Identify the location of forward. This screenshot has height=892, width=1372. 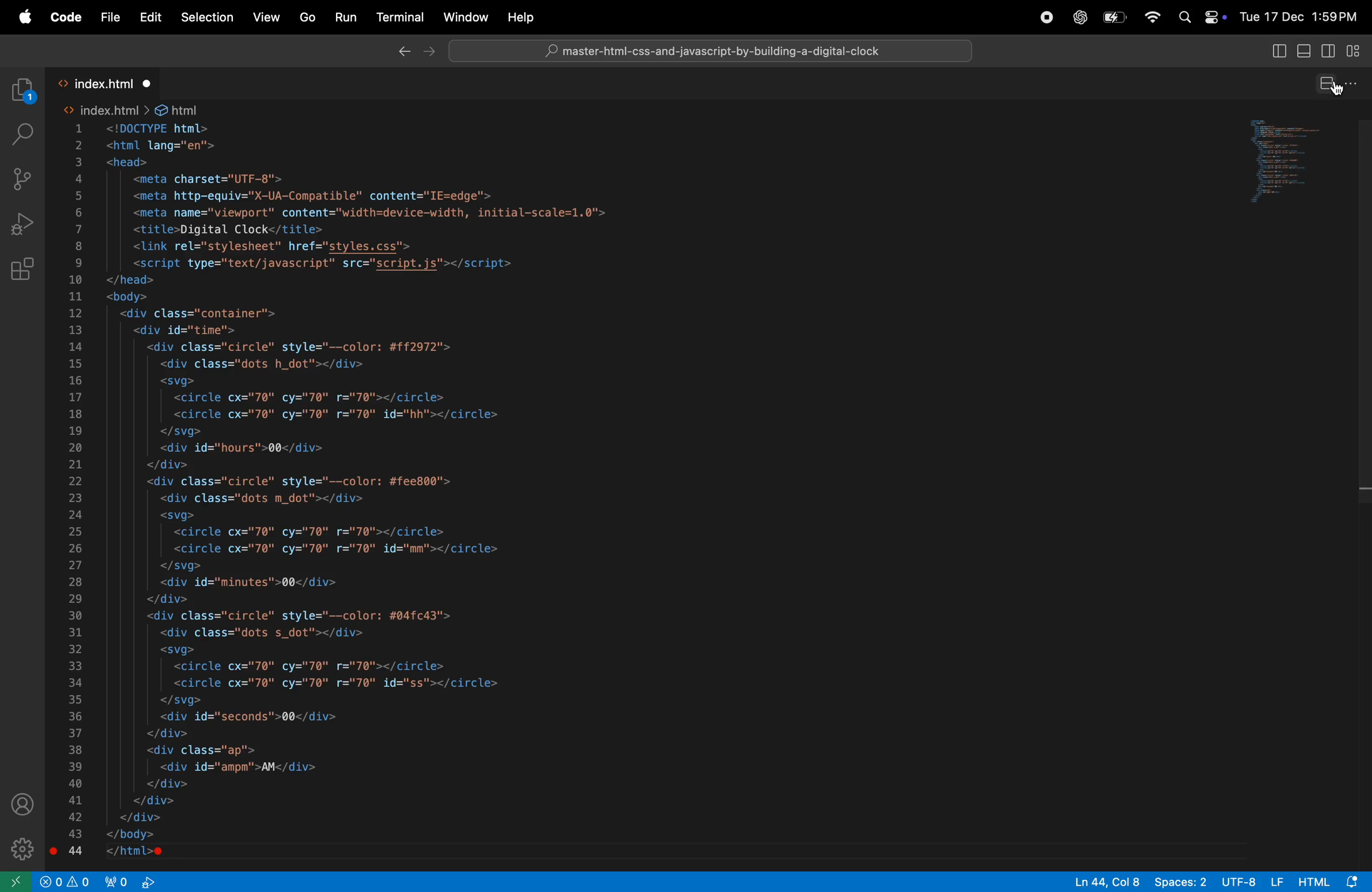
(430, 51).